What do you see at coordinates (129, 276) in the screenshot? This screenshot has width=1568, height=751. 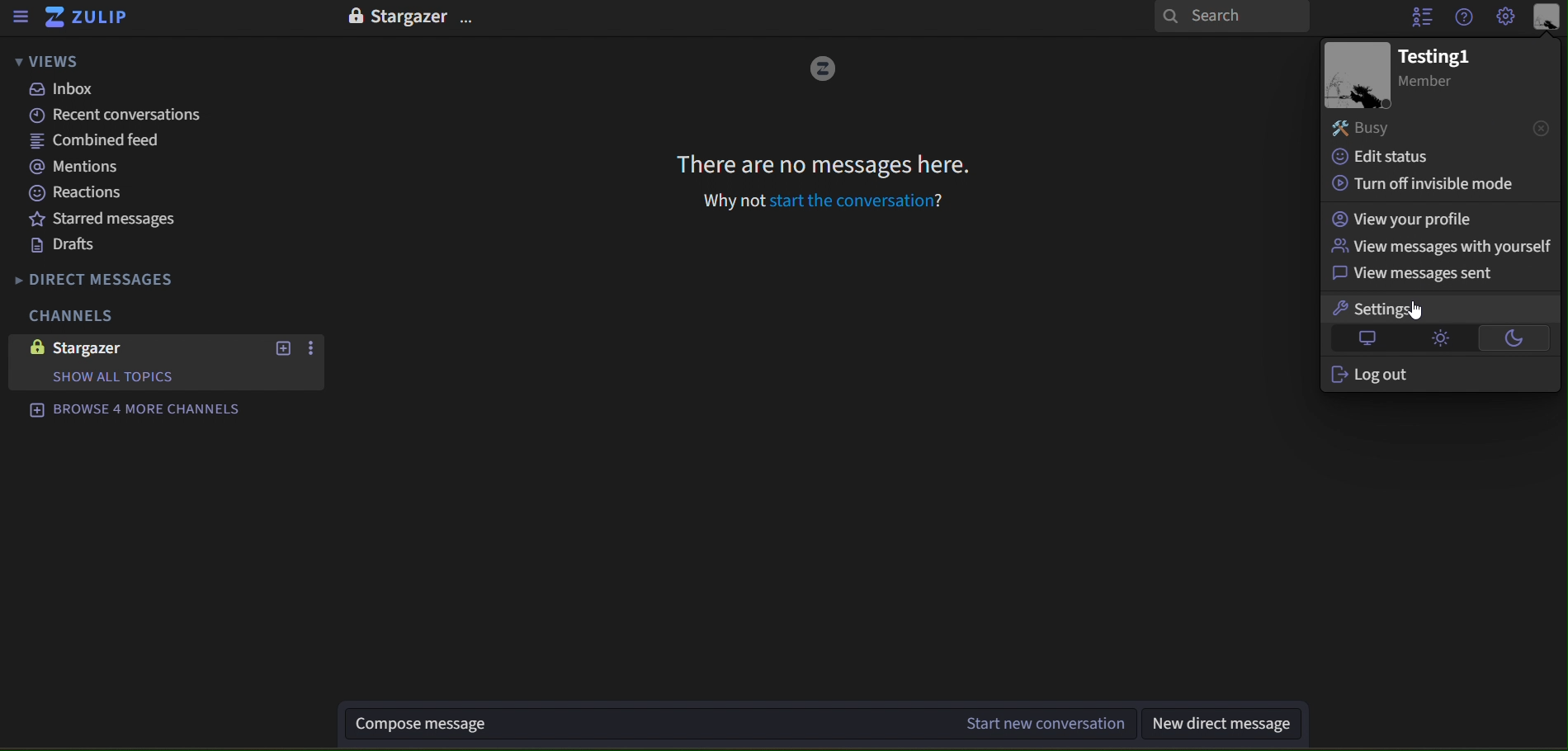 I see `direct messages` at bounding box center [129, 276].